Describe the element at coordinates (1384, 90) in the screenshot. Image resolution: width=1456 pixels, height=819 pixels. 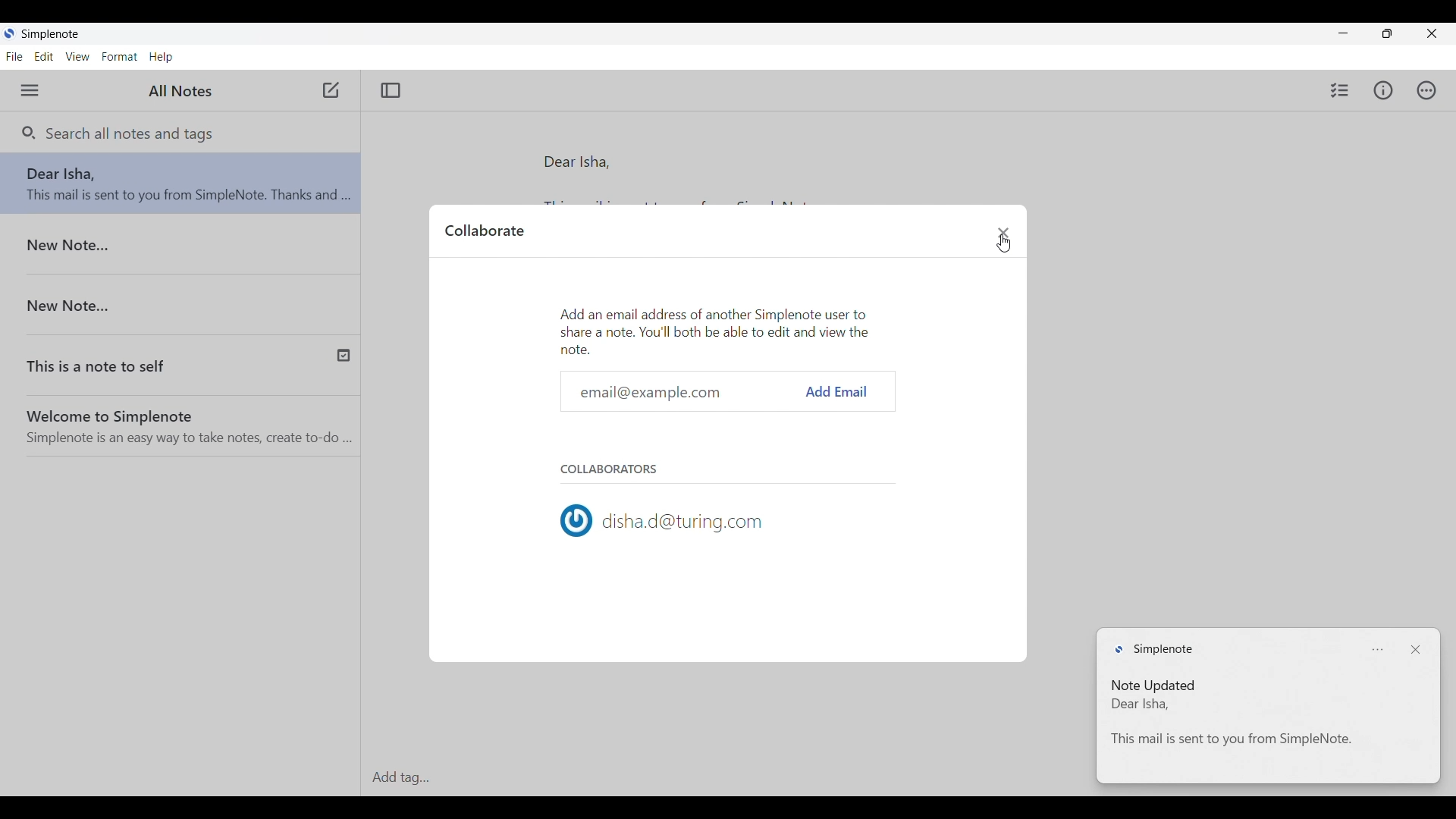
I see `Info` at that location.